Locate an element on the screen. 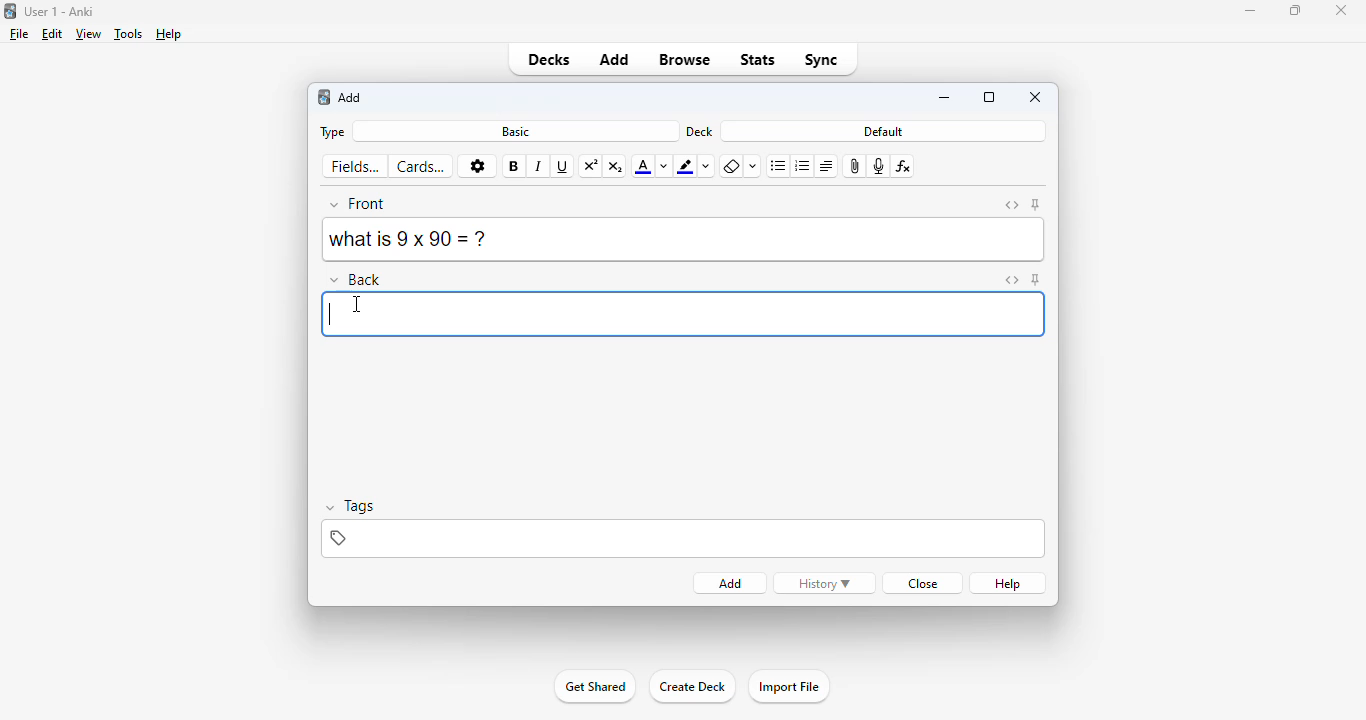 The width and height of the screenshot is (1366, 720). minimize is located at coordinates (946, 99).